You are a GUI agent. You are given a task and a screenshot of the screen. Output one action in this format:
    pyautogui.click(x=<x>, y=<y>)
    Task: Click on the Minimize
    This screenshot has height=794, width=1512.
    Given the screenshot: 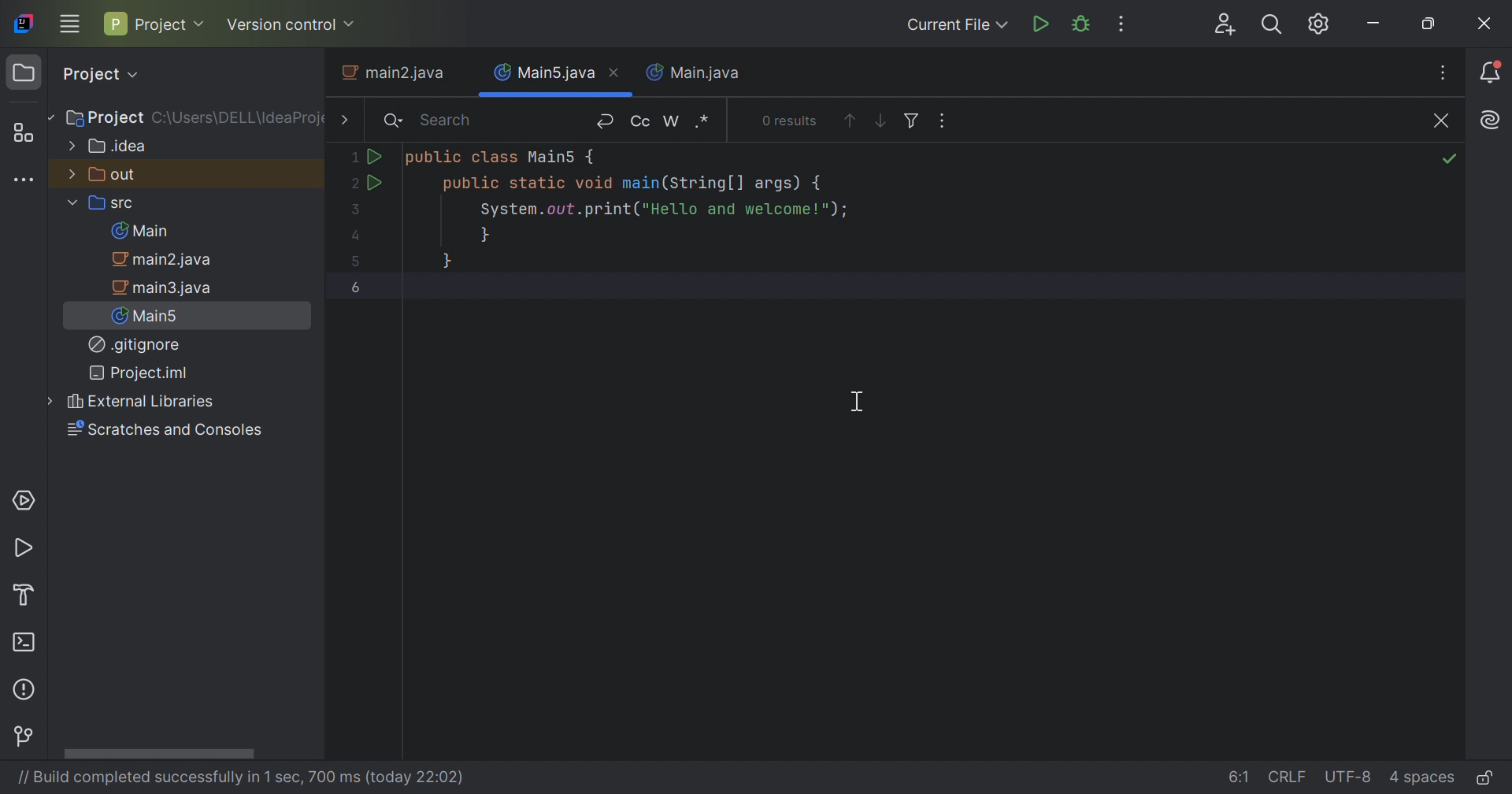 What is the action you would take?
    pyautogui.click(x=1376, y=26)
    